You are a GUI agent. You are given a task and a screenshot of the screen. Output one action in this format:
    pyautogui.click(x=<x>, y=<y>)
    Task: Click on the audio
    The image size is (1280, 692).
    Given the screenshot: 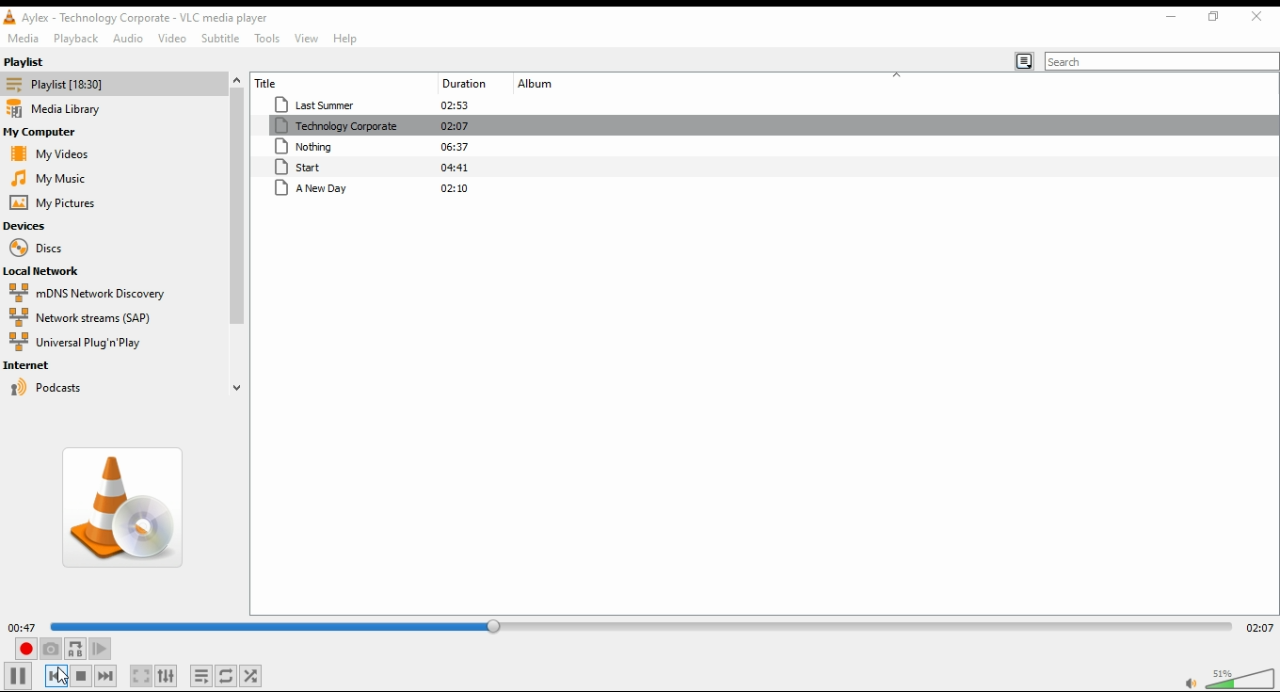 What is the action you would take?
    pyautogui.click(x=125, y=38)
    